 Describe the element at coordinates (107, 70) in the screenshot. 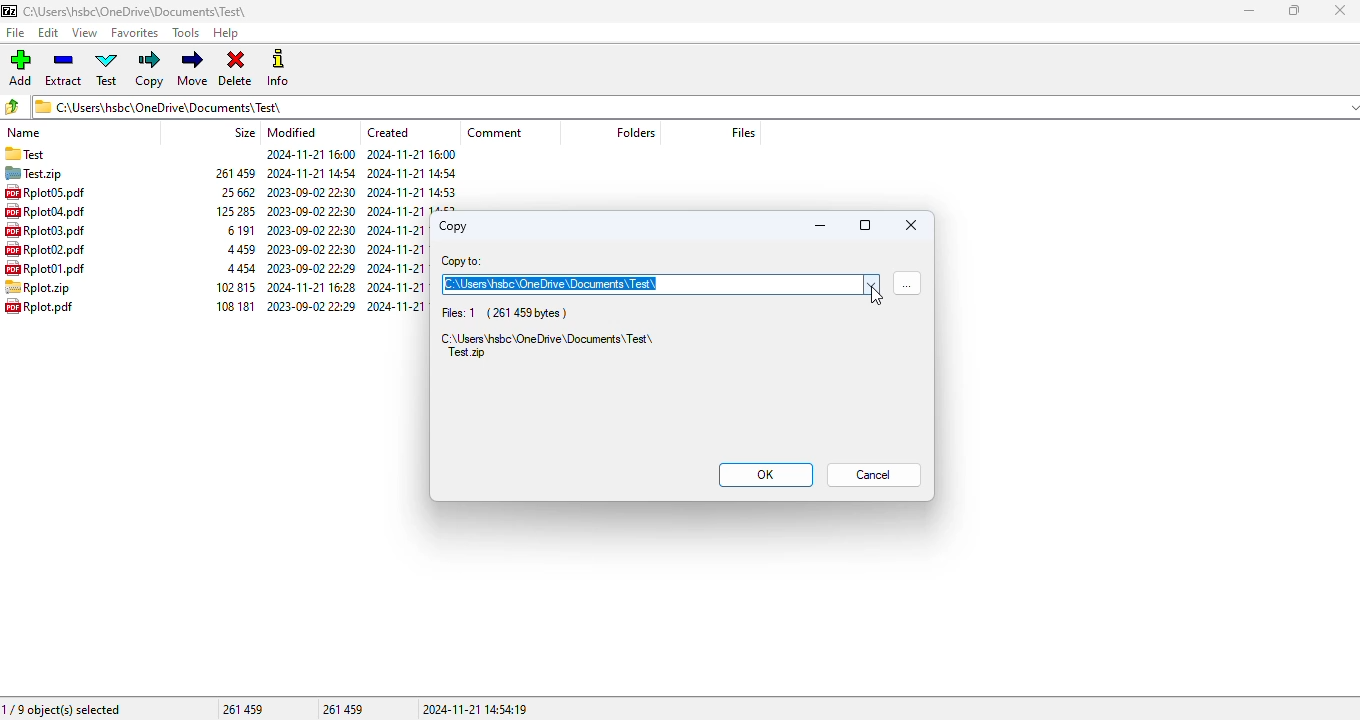

I see `test` at that location.